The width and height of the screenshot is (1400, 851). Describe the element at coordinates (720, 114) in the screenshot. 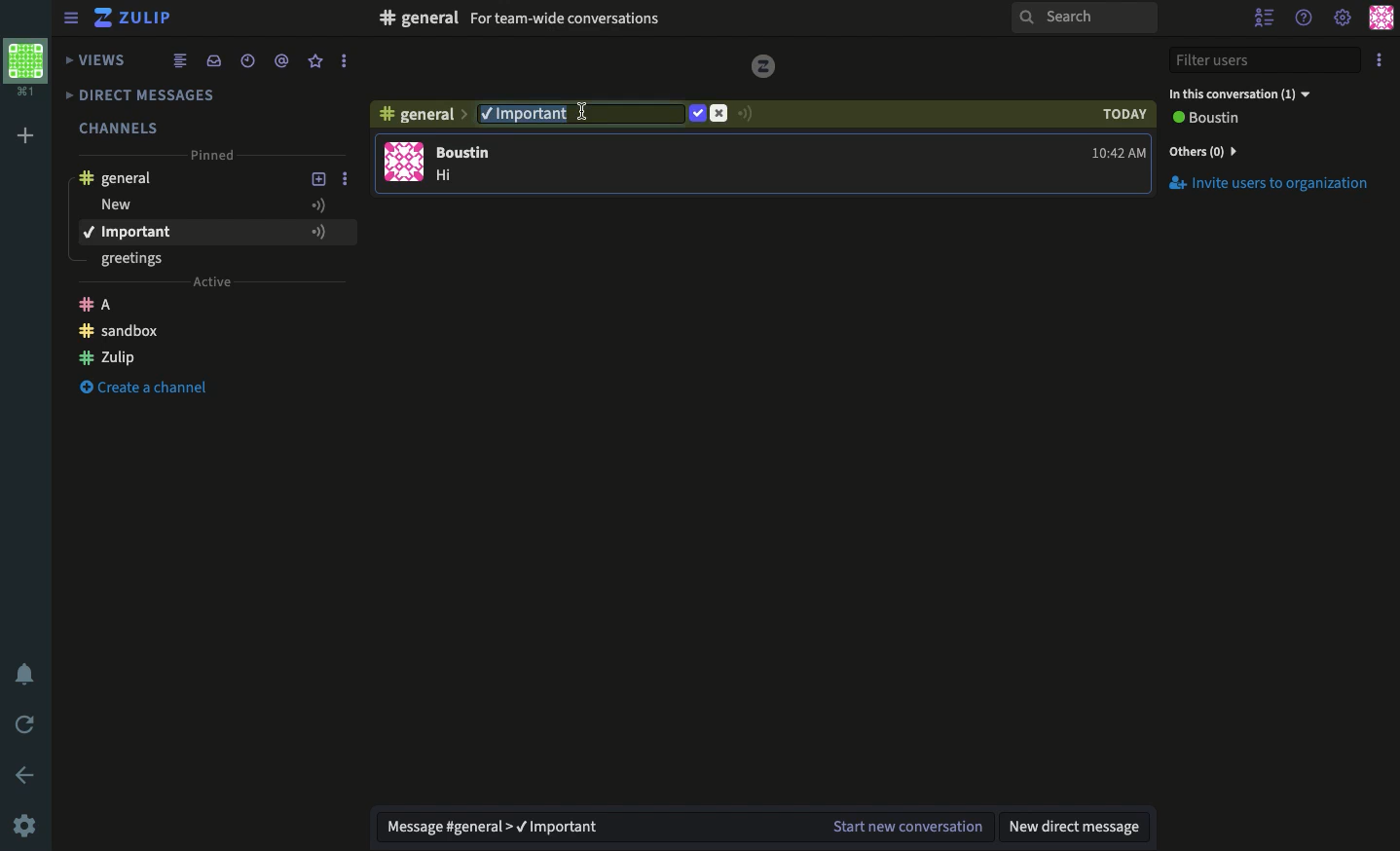

I see `Cancel` at that location.